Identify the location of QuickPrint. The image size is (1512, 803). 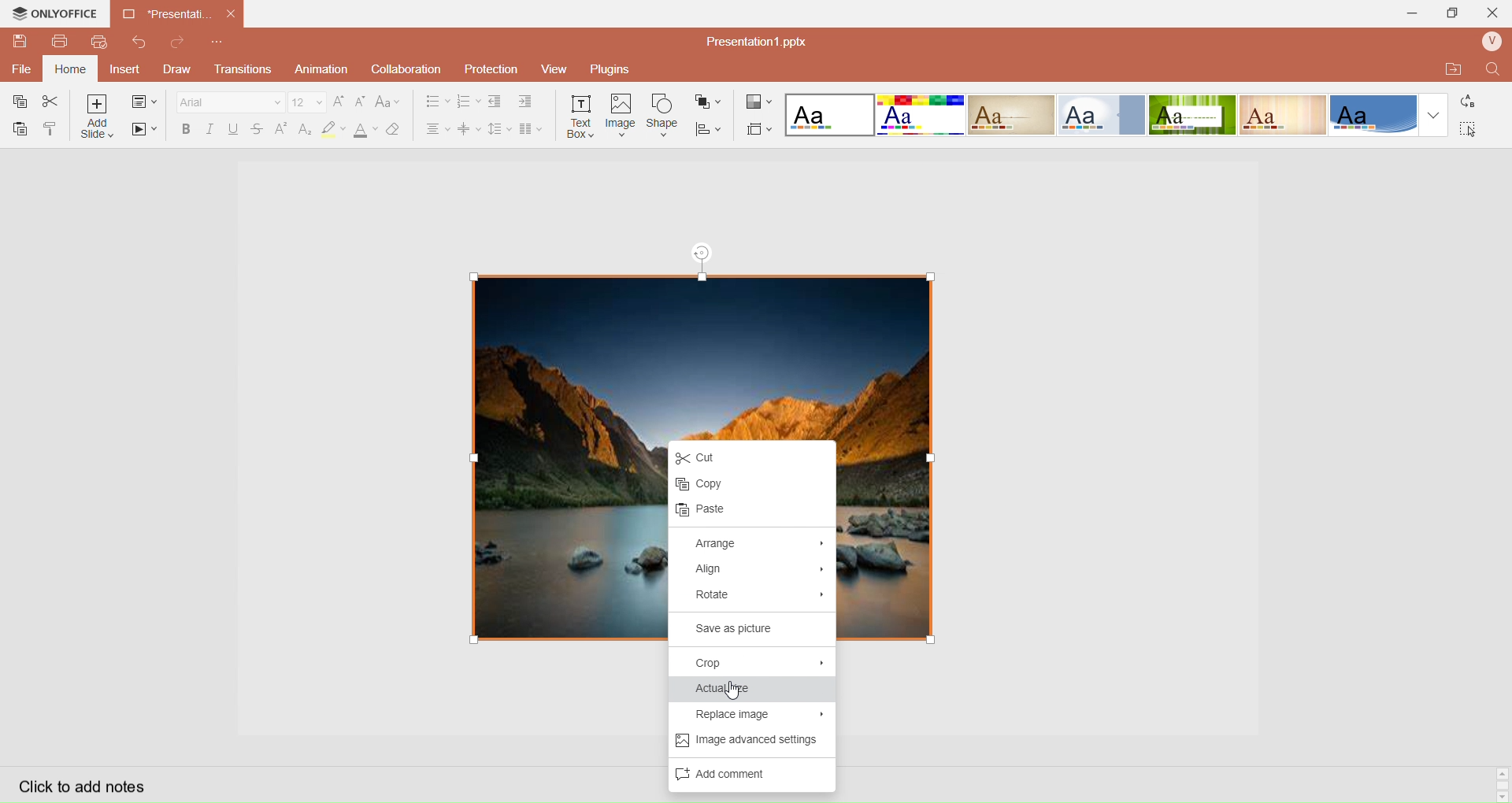
(100, 43).